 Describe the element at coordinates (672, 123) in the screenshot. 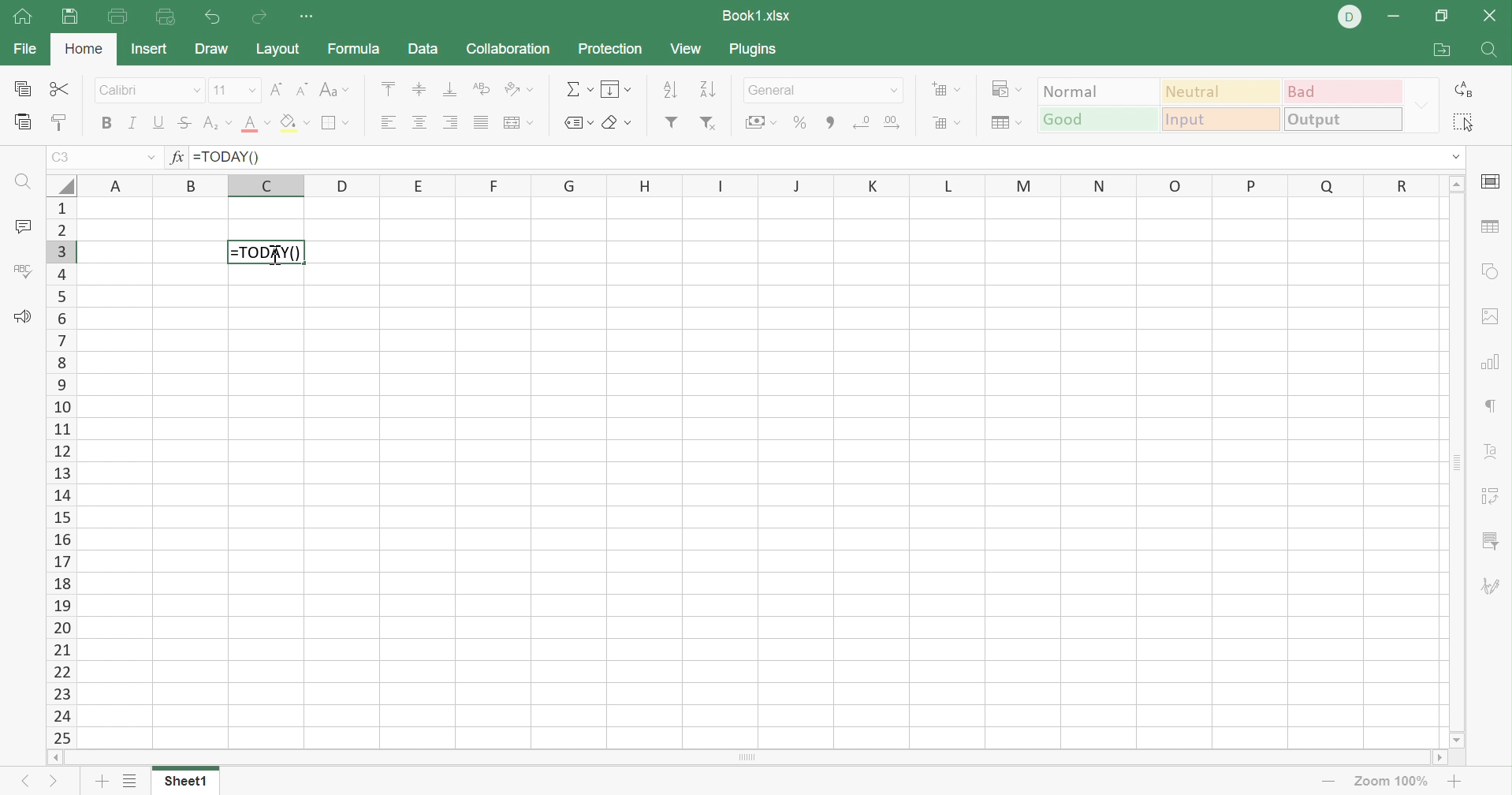

I see `Filter` at that location.